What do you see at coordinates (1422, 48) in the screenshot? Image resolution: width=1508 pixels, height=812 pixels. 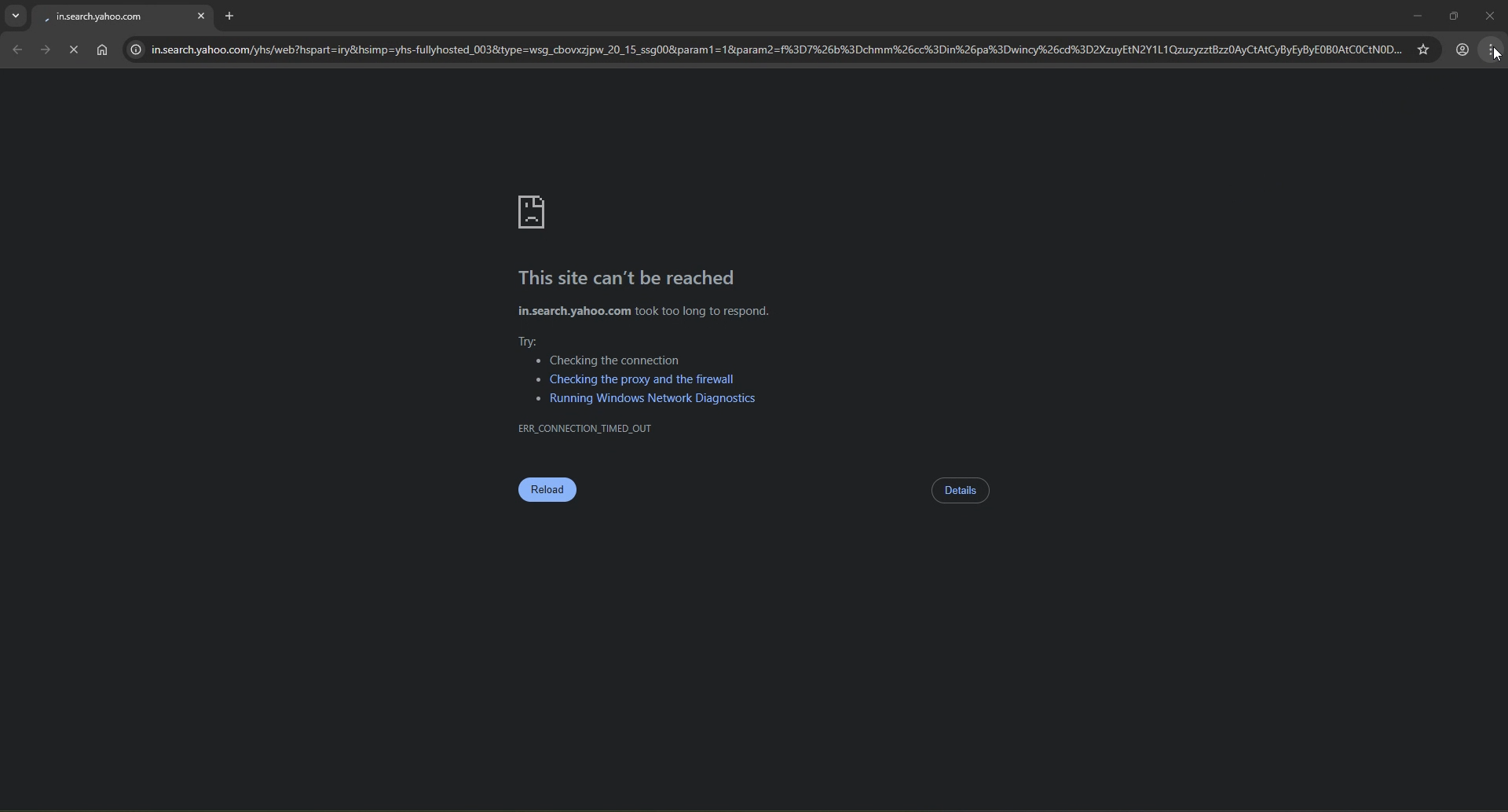 I see `Bookmark this tab` at bounding box center [1422, 48].